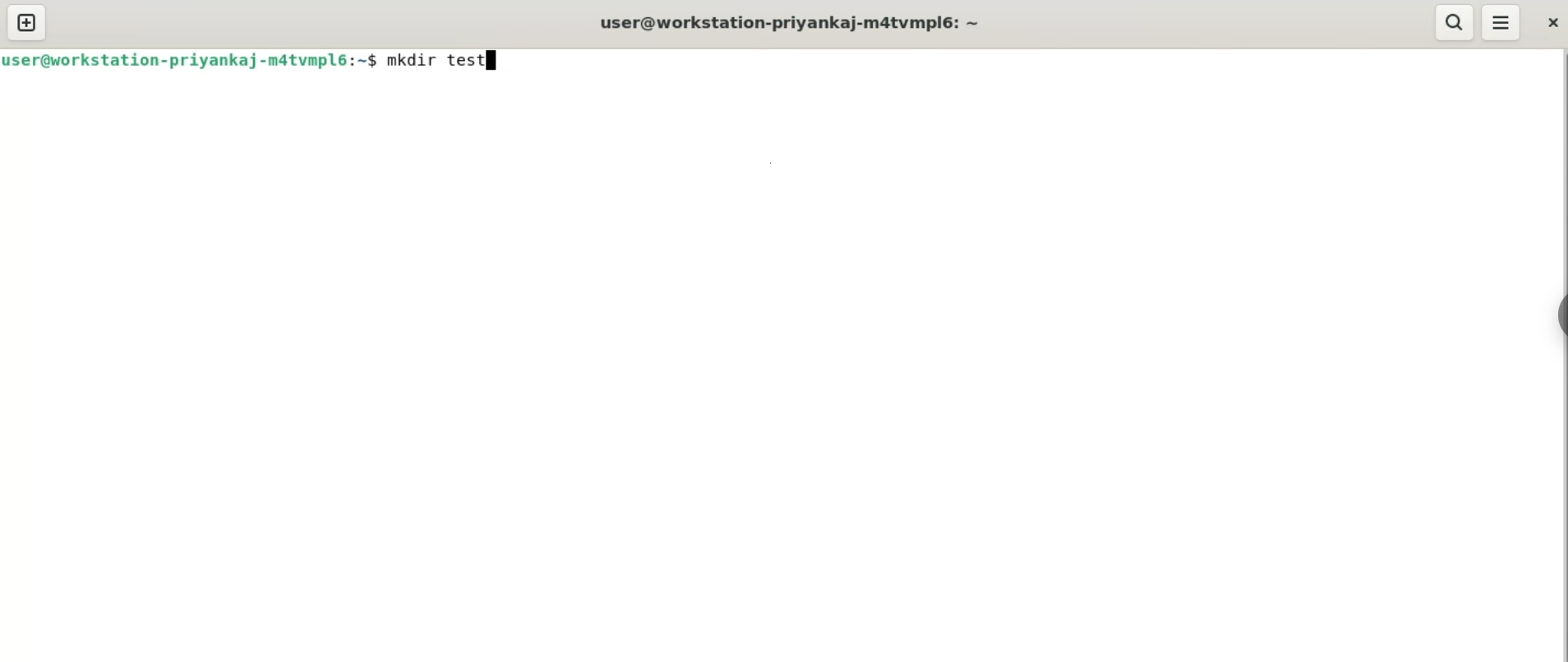 The image size is (1568, 662). I want to click on mkdir test, so click(445, 60).